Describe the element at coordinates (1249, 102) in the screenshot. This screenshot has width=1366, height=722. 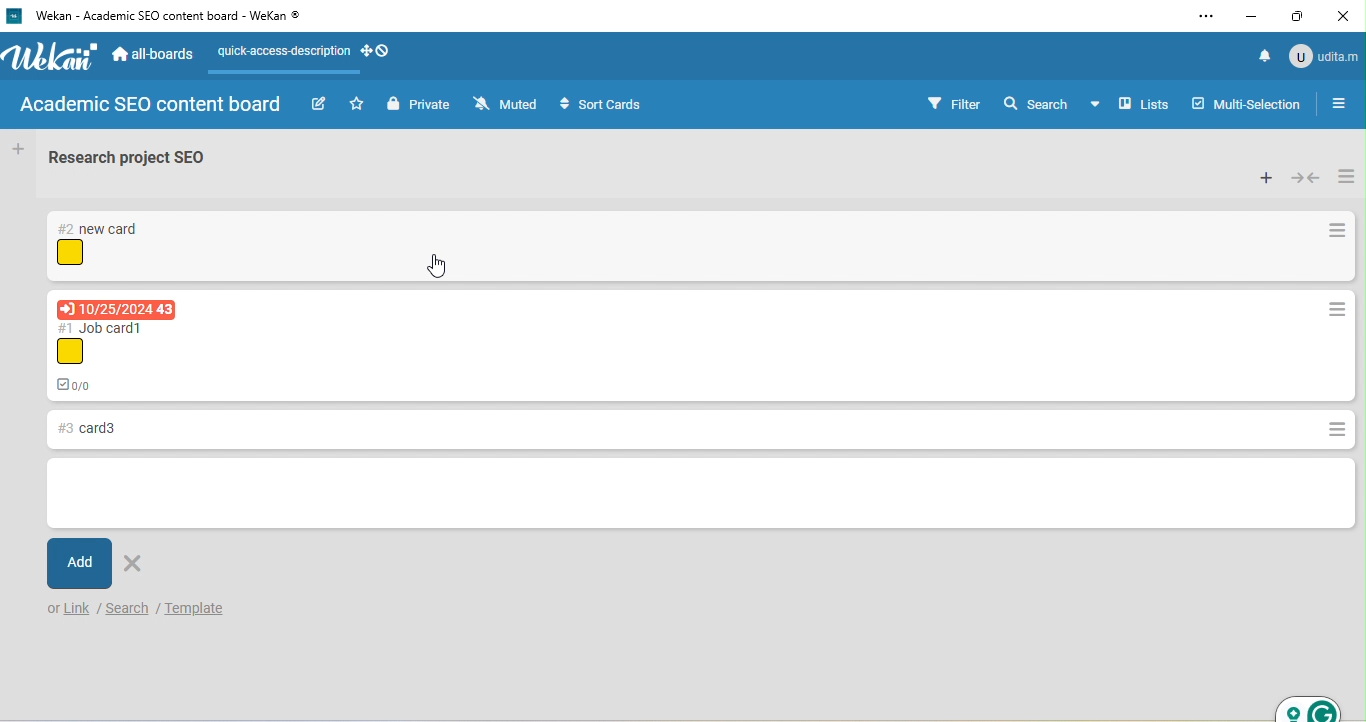
I see `multi selection` at that location.